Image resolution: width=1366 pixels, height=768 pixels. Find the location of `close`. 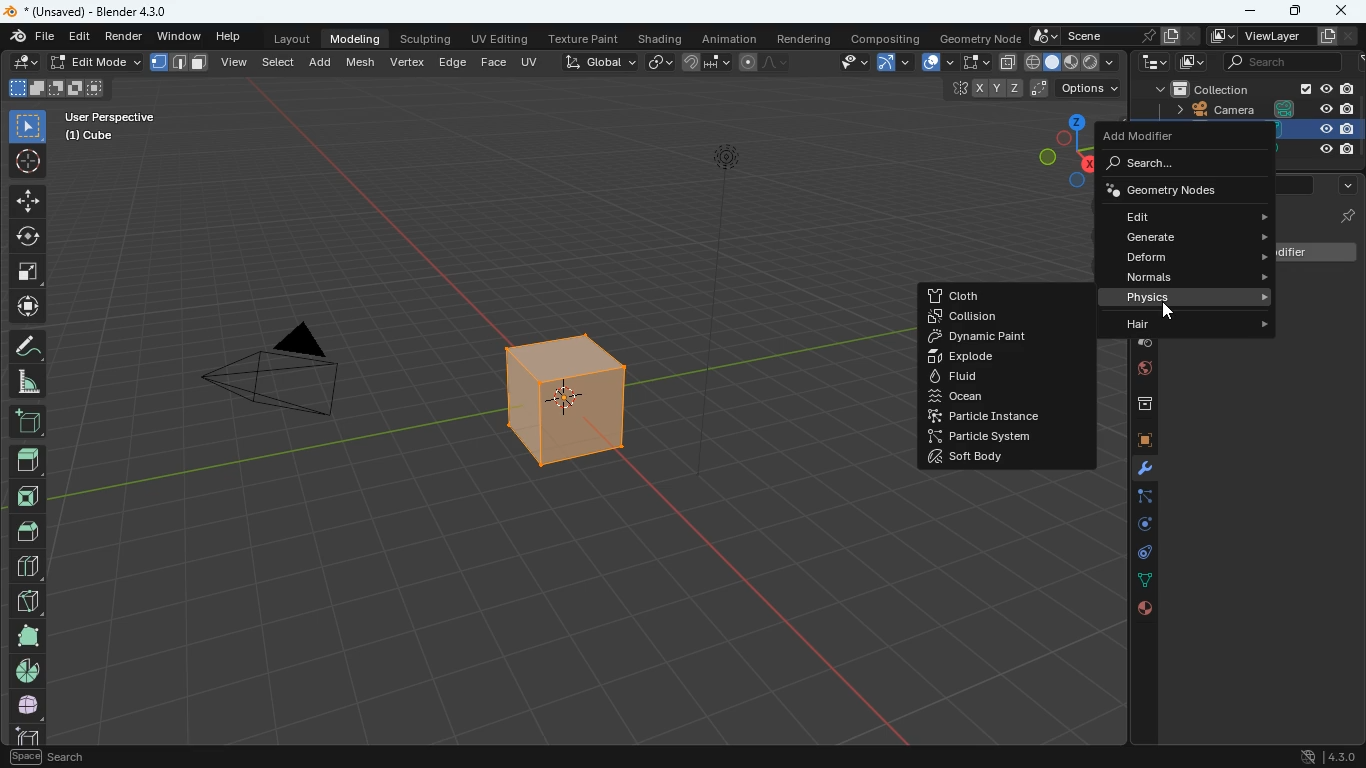

close is located at coordinates (1342, 9).